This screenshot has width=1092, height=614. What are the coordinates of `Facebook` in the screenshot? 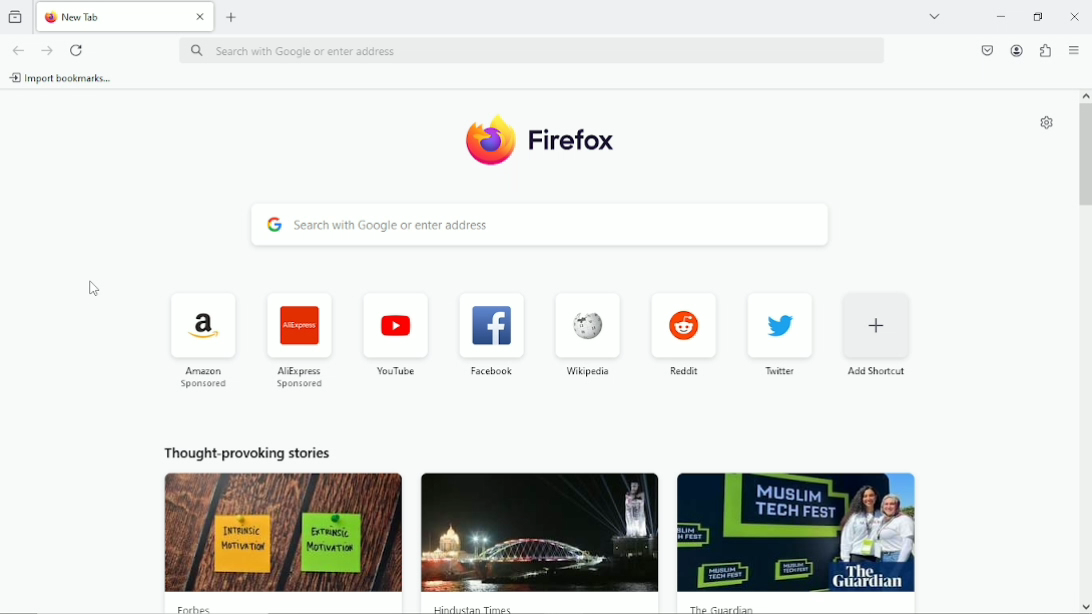 It's located at (490, 332).